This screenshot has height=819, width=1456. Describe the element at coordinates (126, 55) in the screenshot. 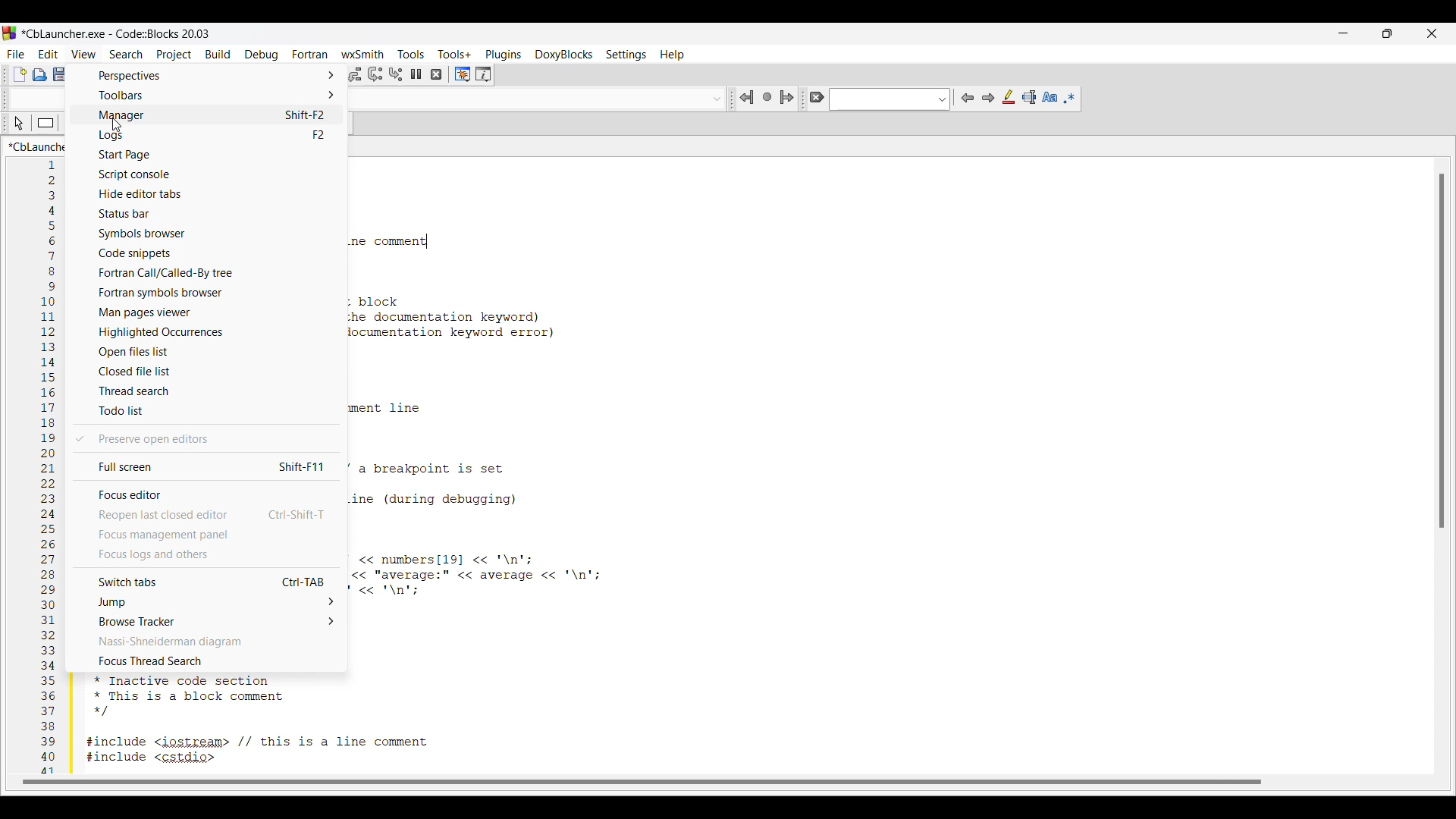

I see `Search menu` at that location.